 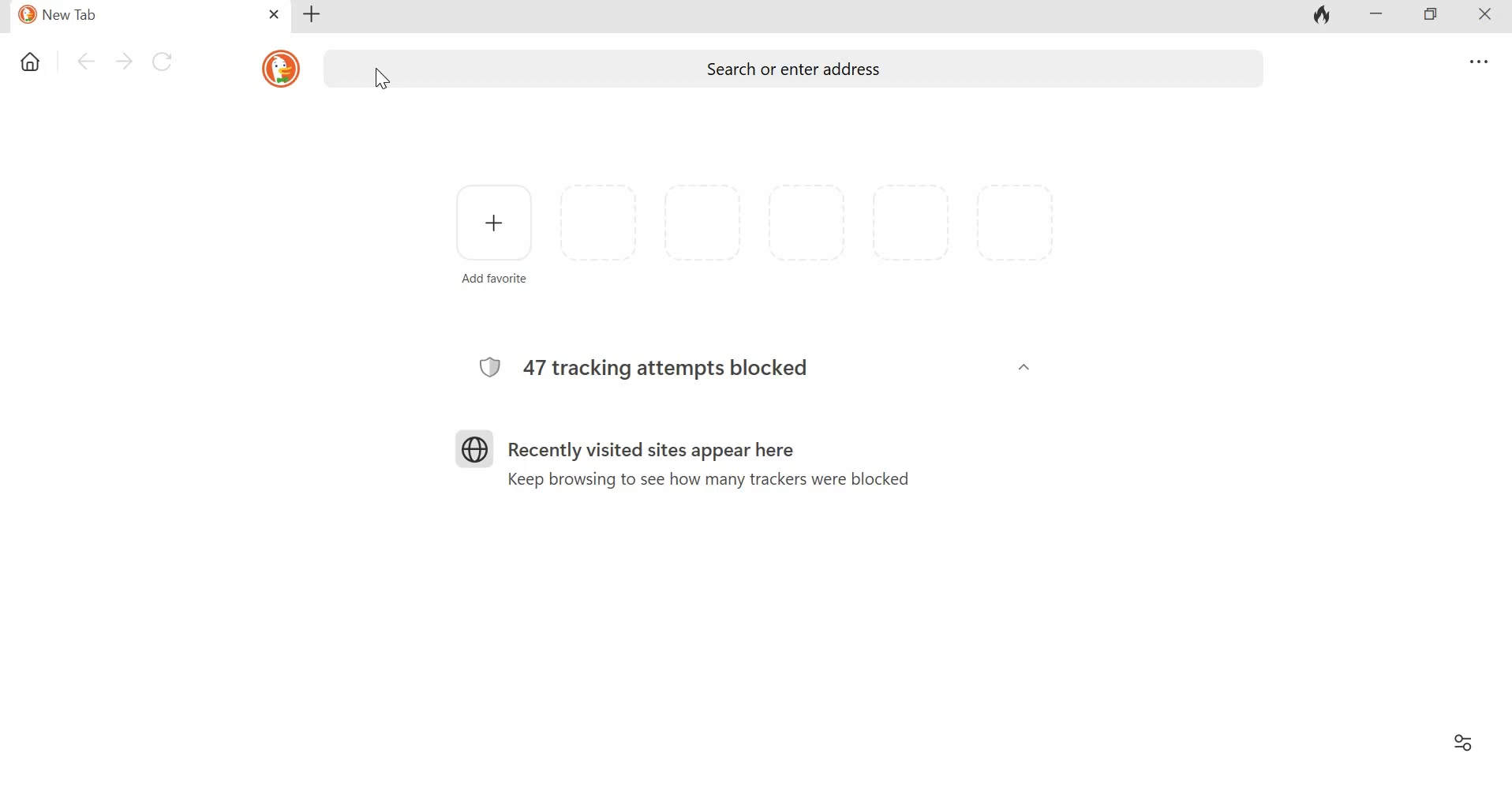 What do you see at coordinates (380, 80) in the screenshot?
I see `cursor` at bounding box center [380, 80].